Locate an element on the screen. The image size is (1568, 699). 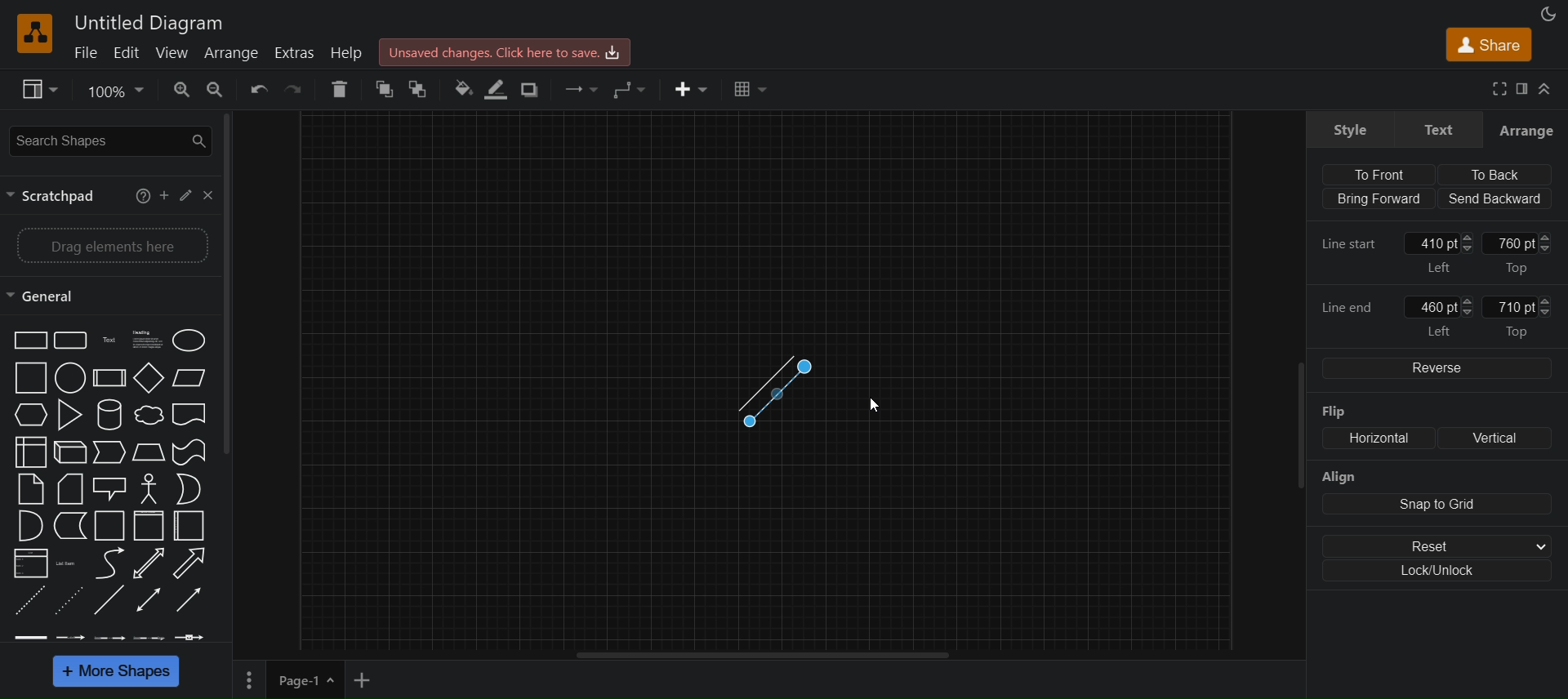
extras is located at coordinates (294, 53).